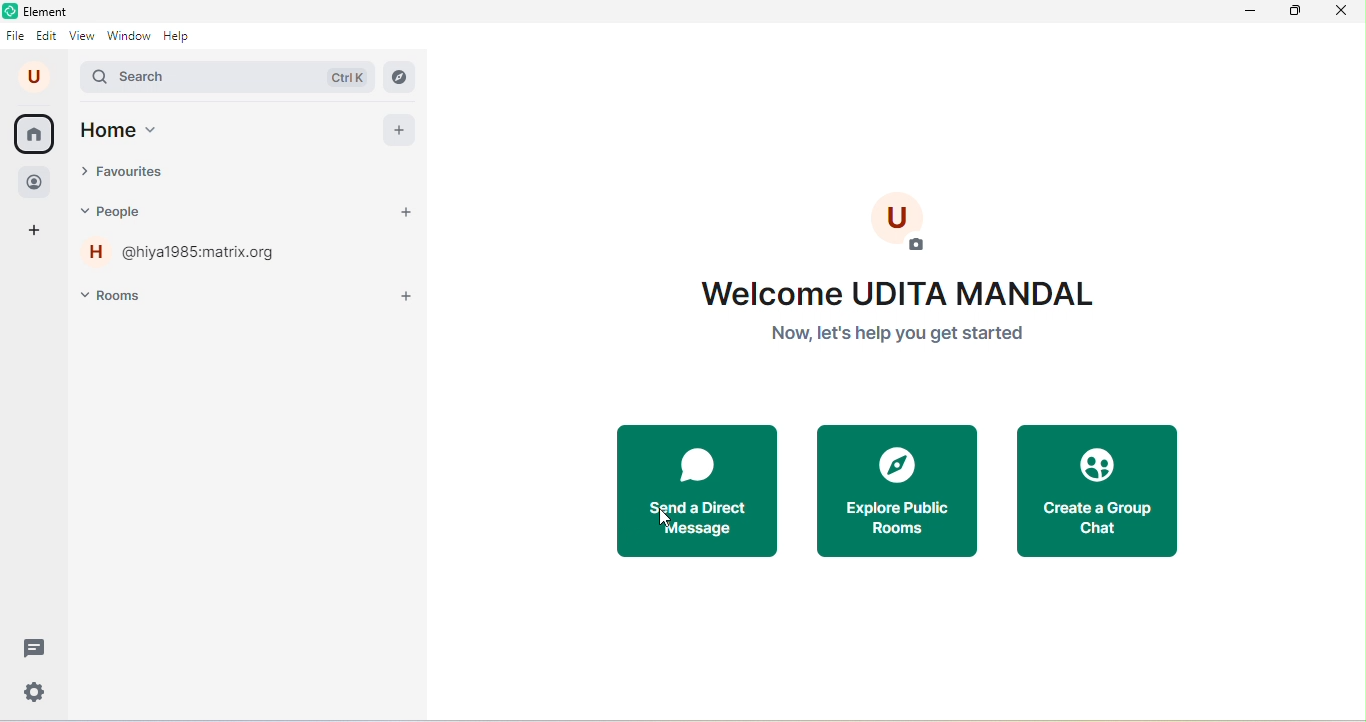  I want to click on add room, so click(408, 296).